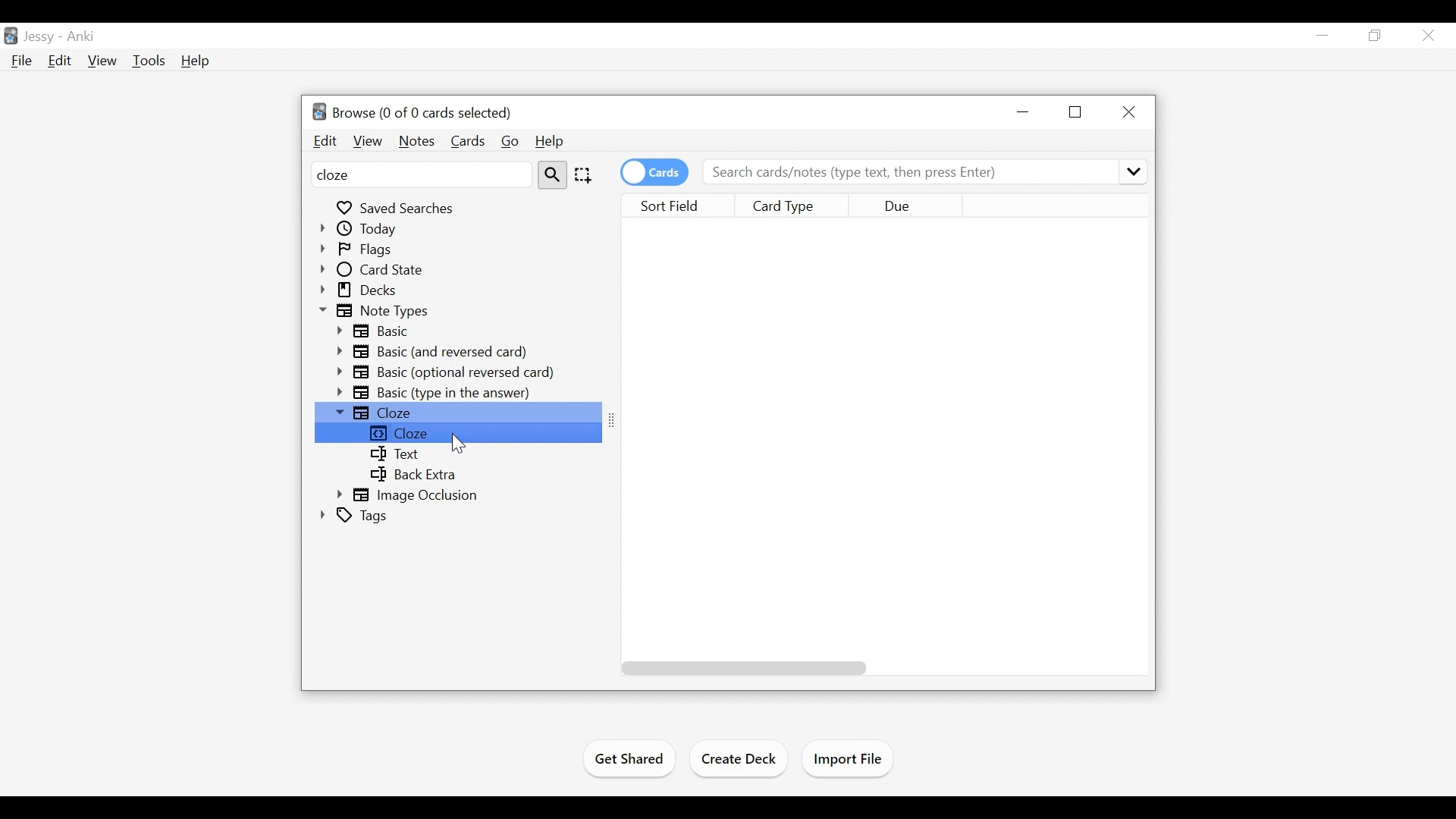 The image size is (1456, 819). What do you see at coordinates (411, 496) in the screenshot?
I see `Image Oclusion` at bounding box center [411, 496].